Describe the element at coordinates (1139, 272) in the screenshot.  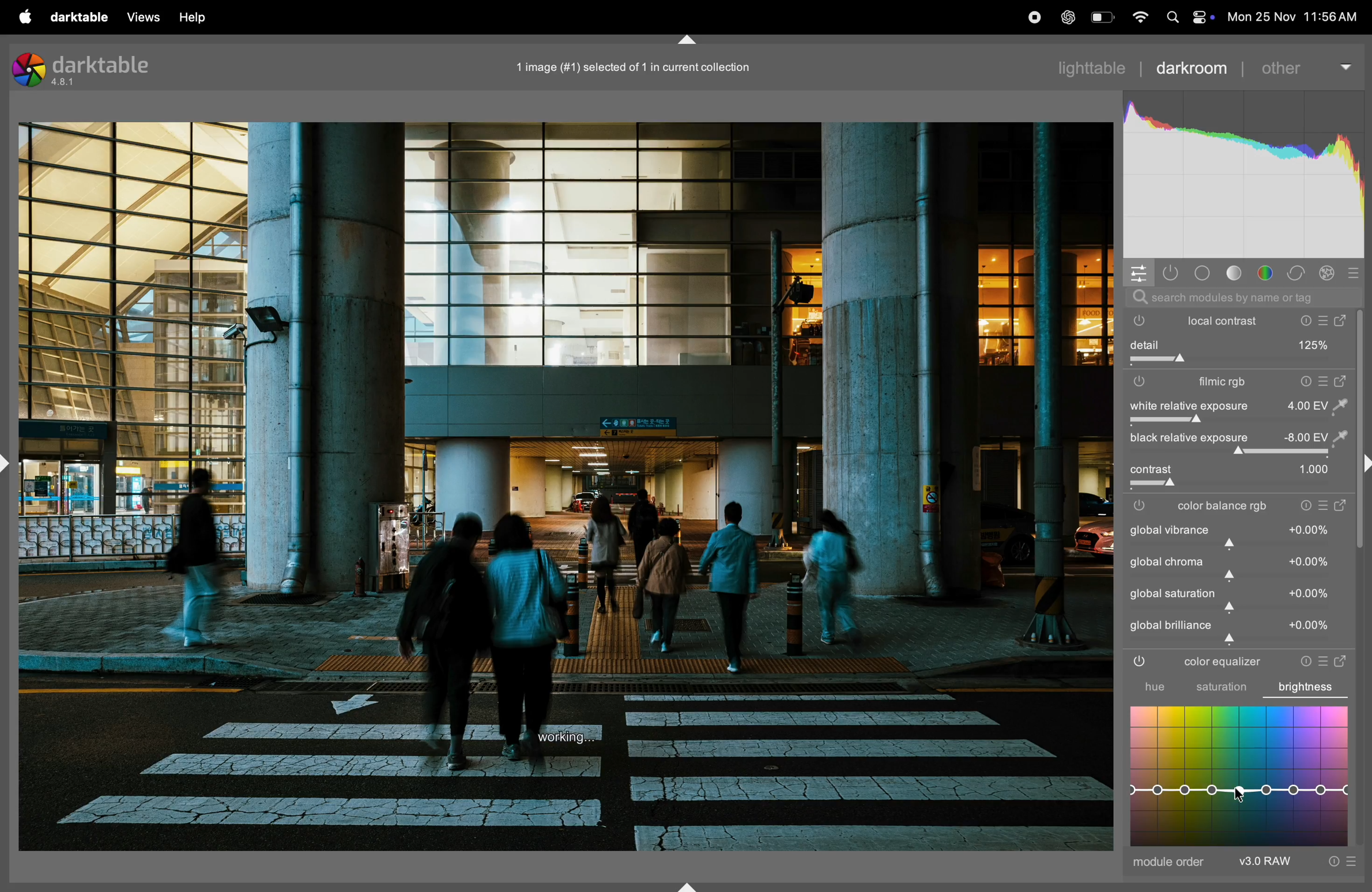
I see `quick panel` at that location.